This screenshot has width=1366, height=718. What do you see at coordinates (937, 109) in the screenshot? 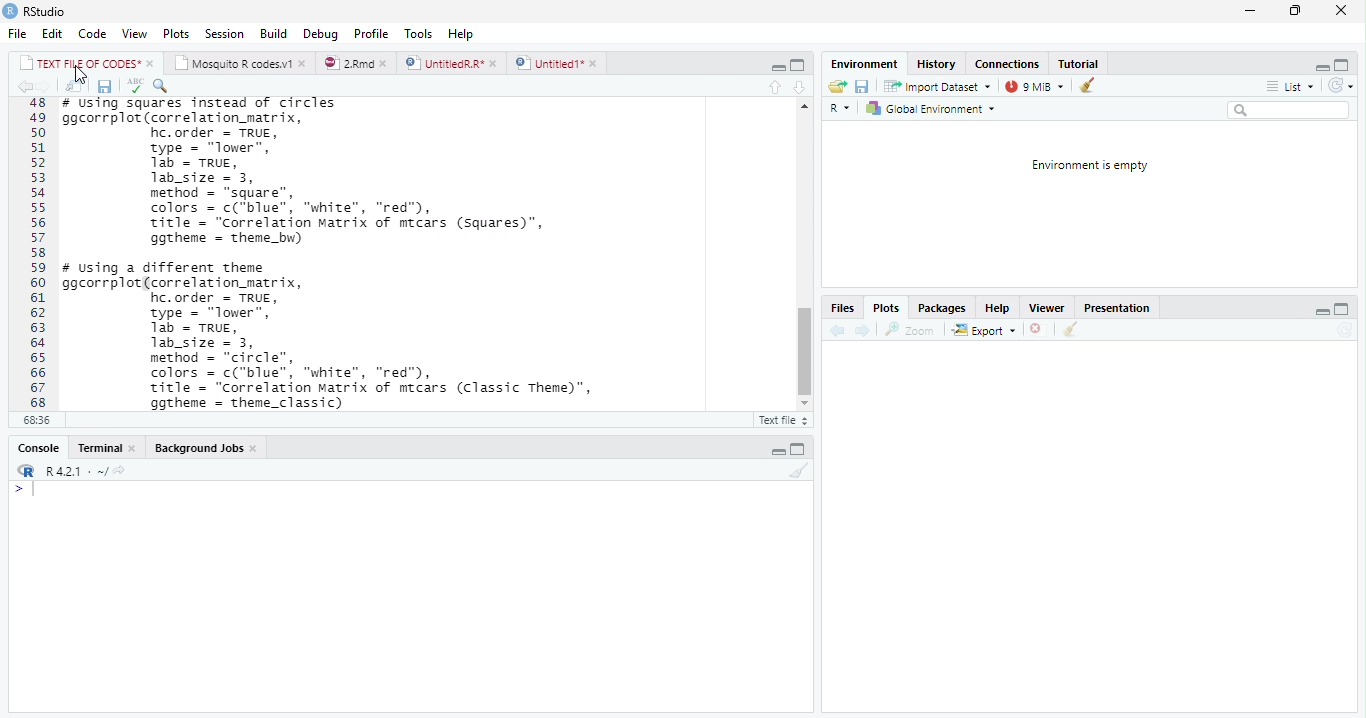
I see ` Global Environment +` at bounding box center [937, 109].